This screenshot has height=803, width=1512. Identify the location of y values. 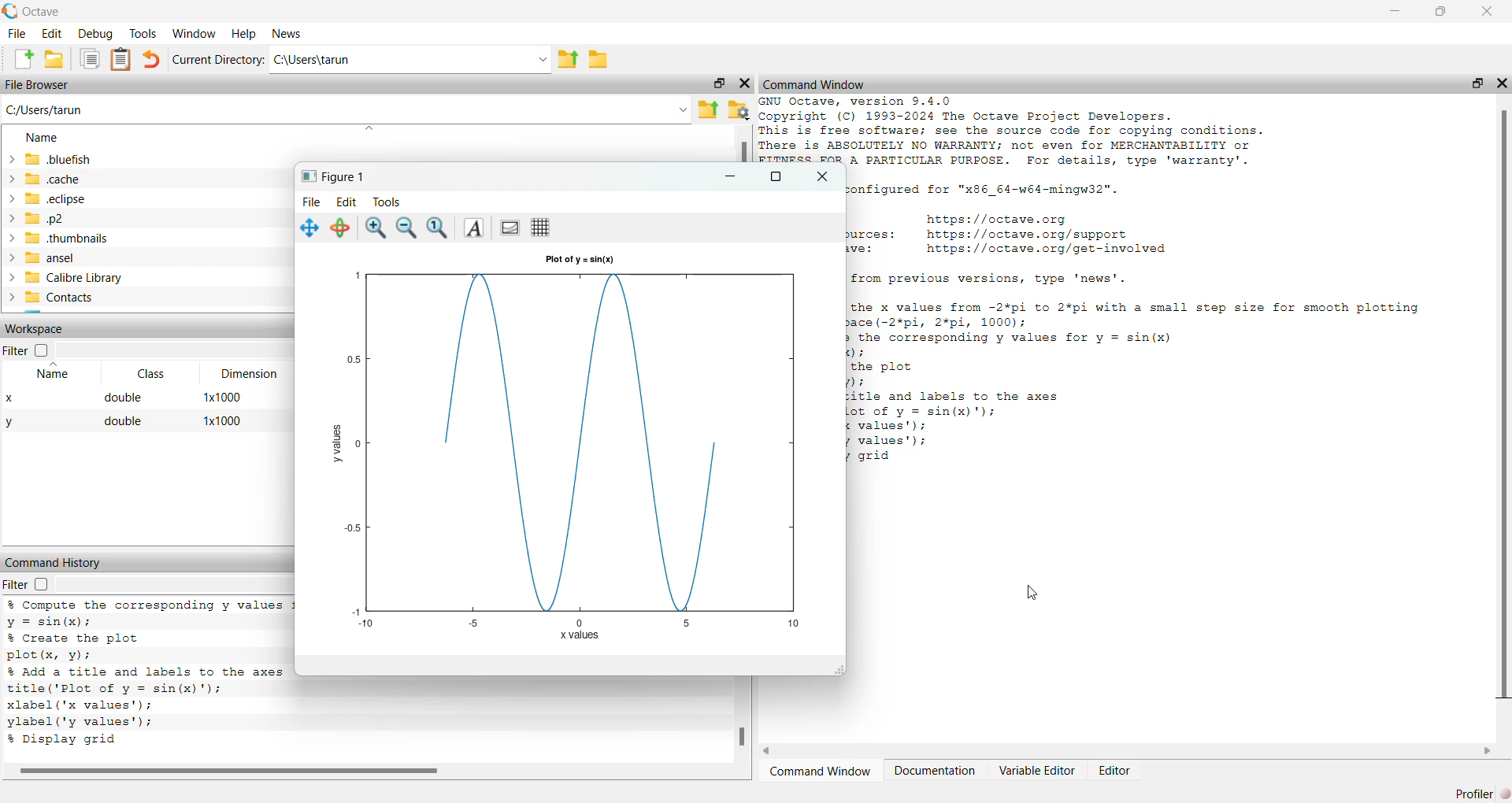
(336, 442).